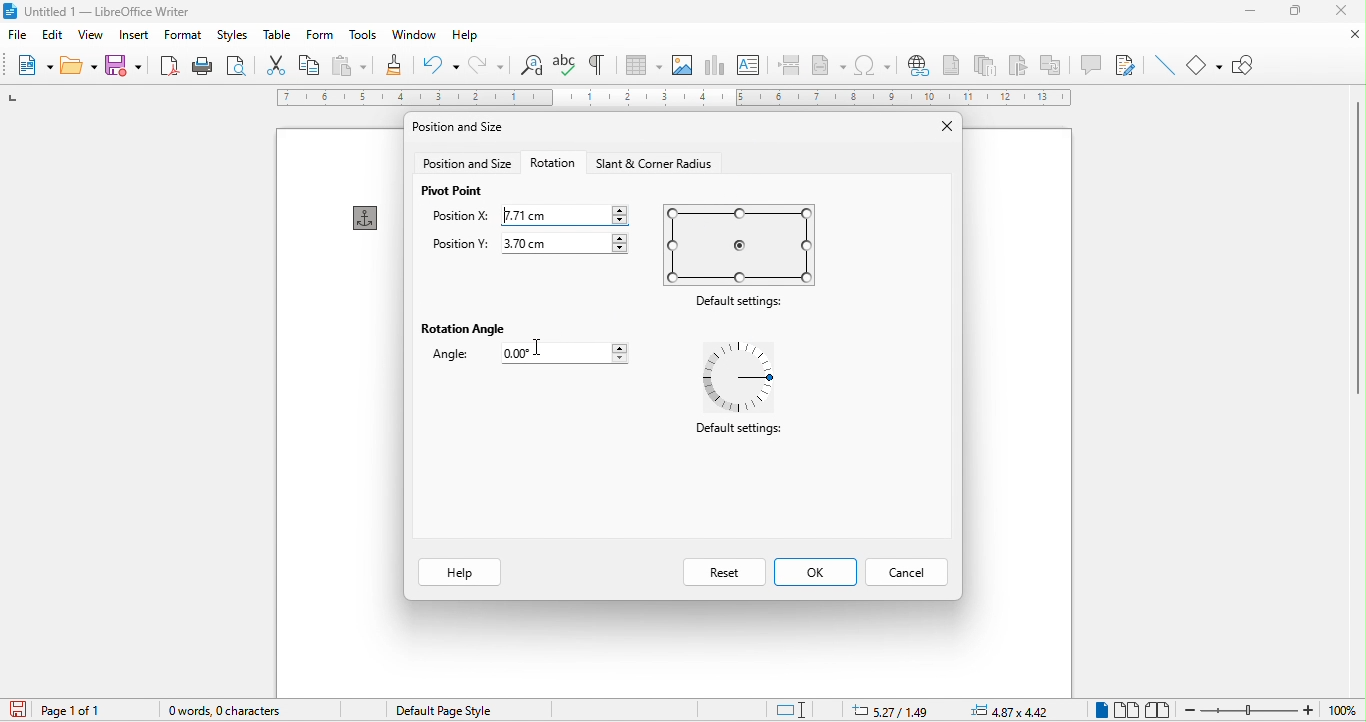 Image resolution: width=1366 pixels, height=722 pixels. Describe the element at coordinates (1021, 65) in the screenshot. I see `bookmark` at that location.